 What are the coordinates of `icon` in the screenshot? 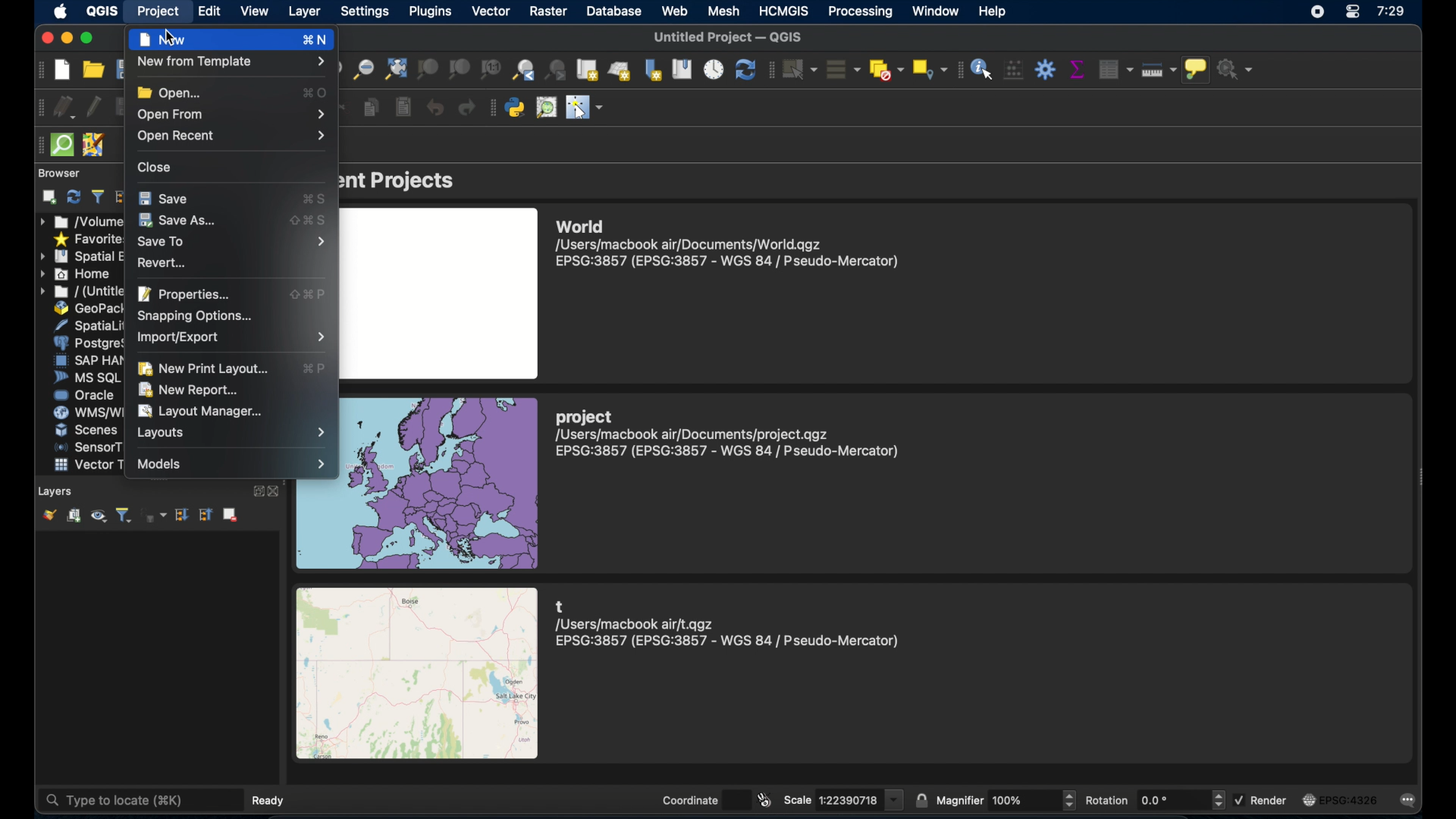 It's located at (61, 308).